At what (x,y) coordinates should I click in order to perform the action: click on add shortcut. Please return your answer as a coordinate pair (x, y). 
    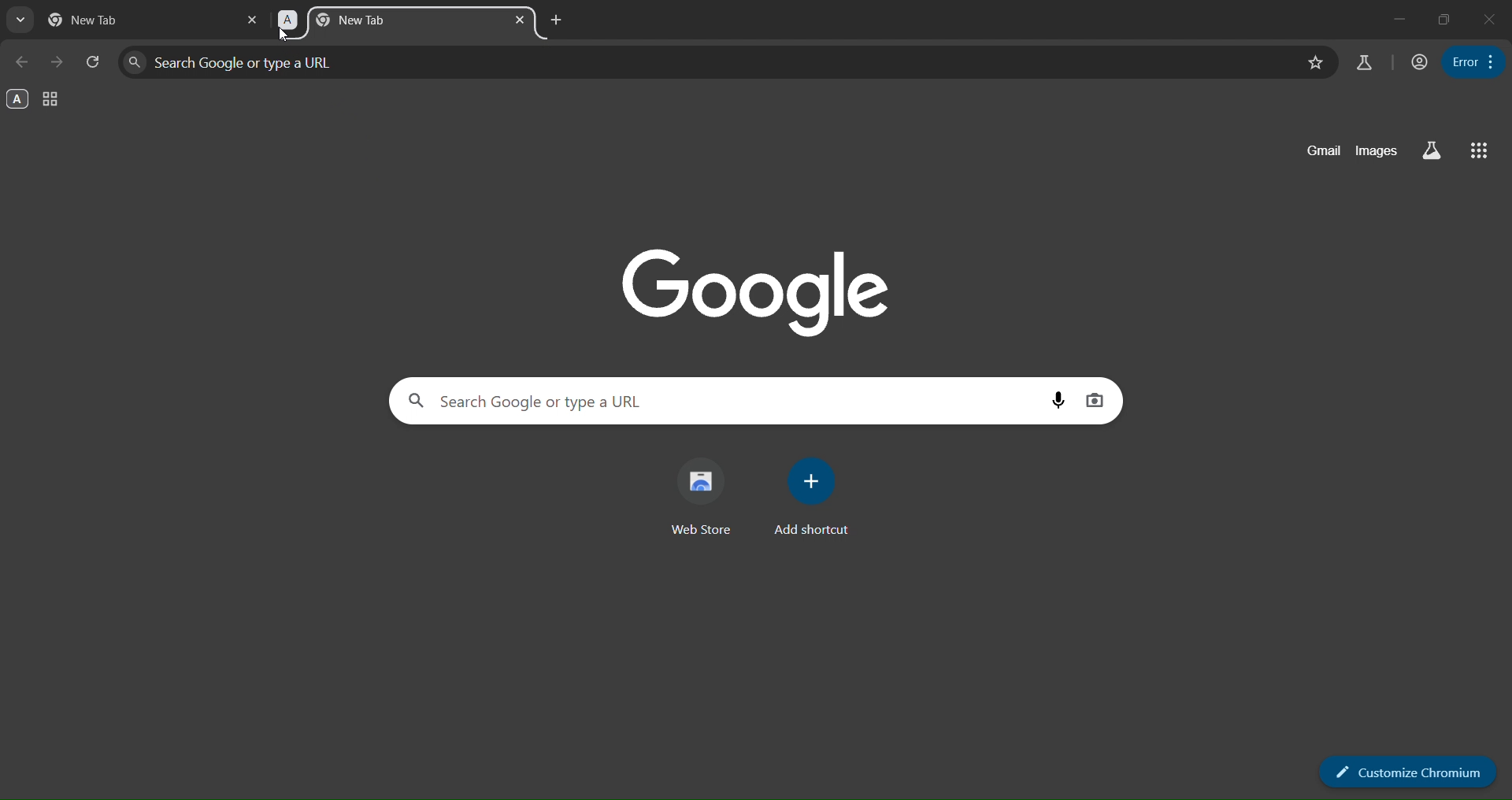
    Looking at the image, I should click on (813, 498).